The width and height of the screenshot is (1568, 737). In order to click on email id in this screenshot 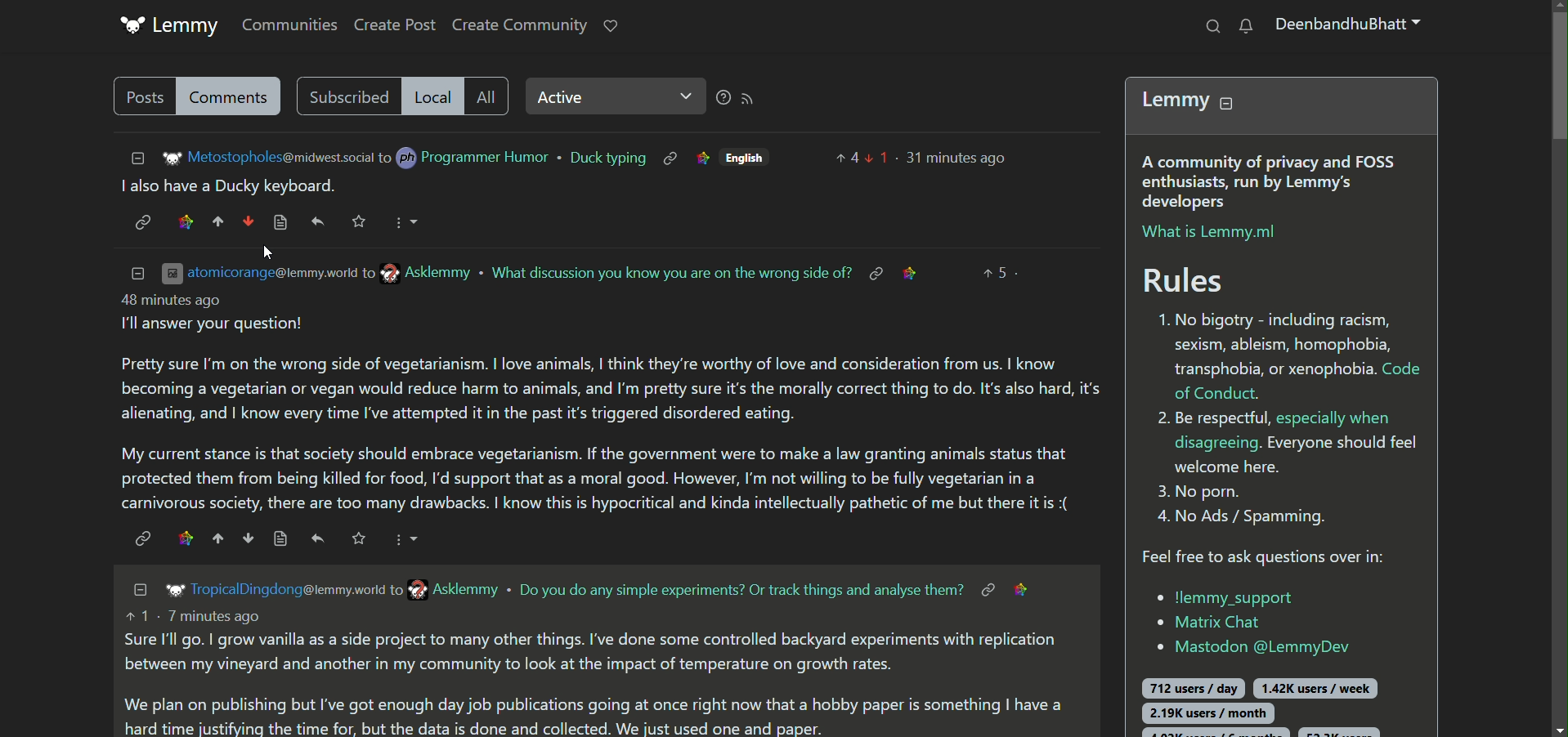, I will do `click(268, 158)`.